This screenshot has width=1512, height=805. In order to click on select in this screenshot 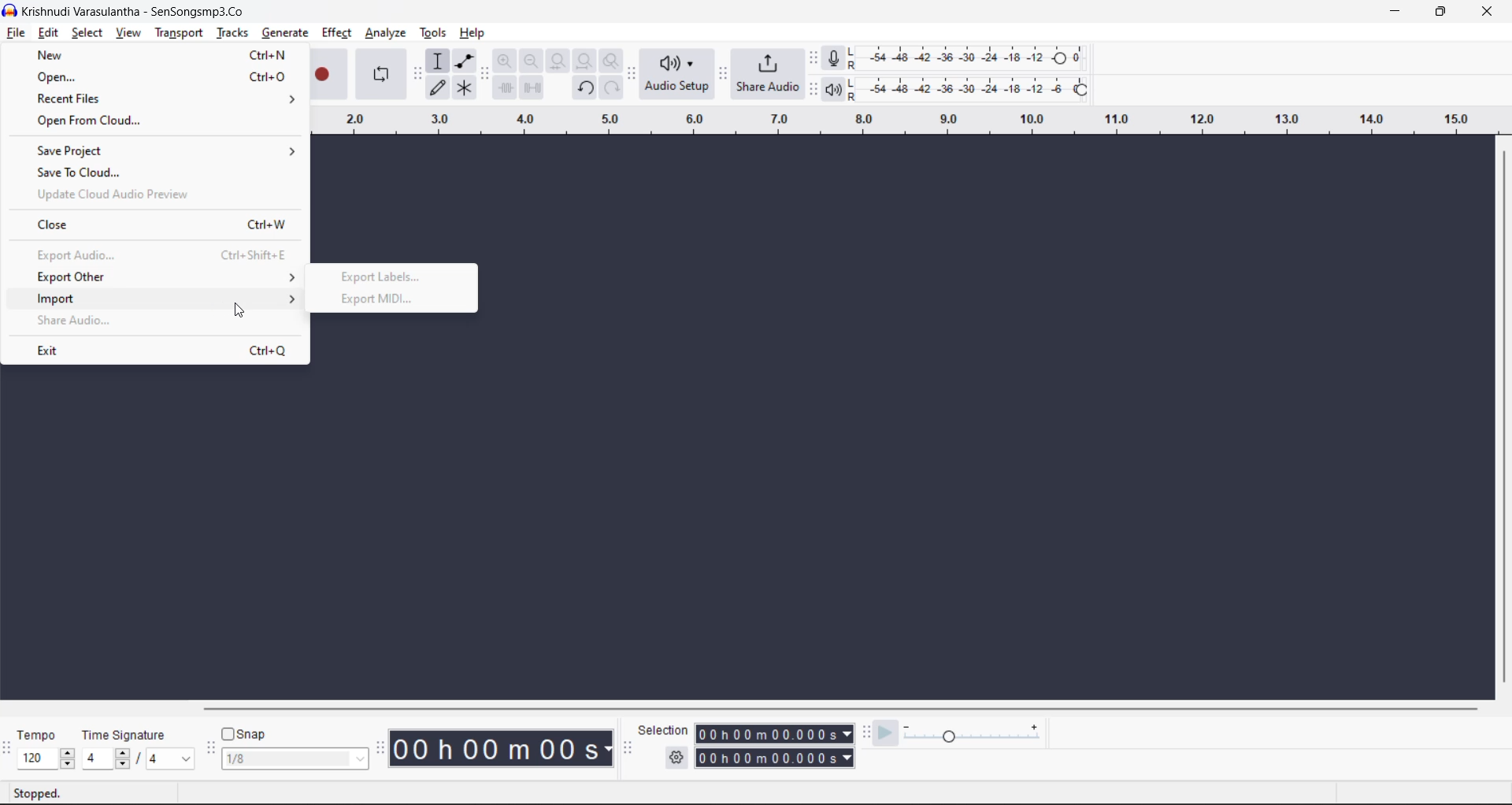, I will do `click(89, 33)`.